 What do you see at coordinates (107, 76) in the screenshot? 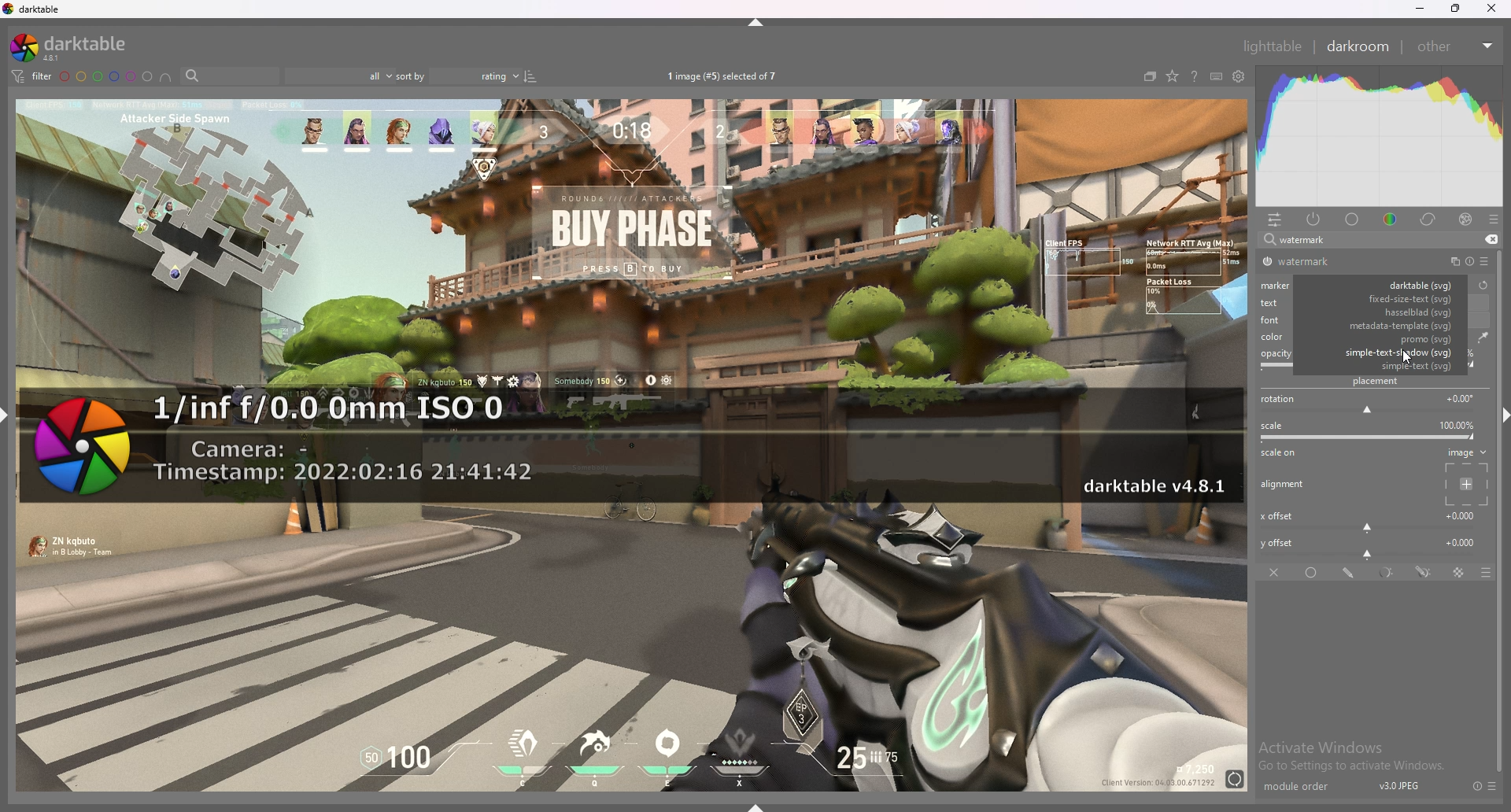
I see `color label` at bounding box center [107, 76].